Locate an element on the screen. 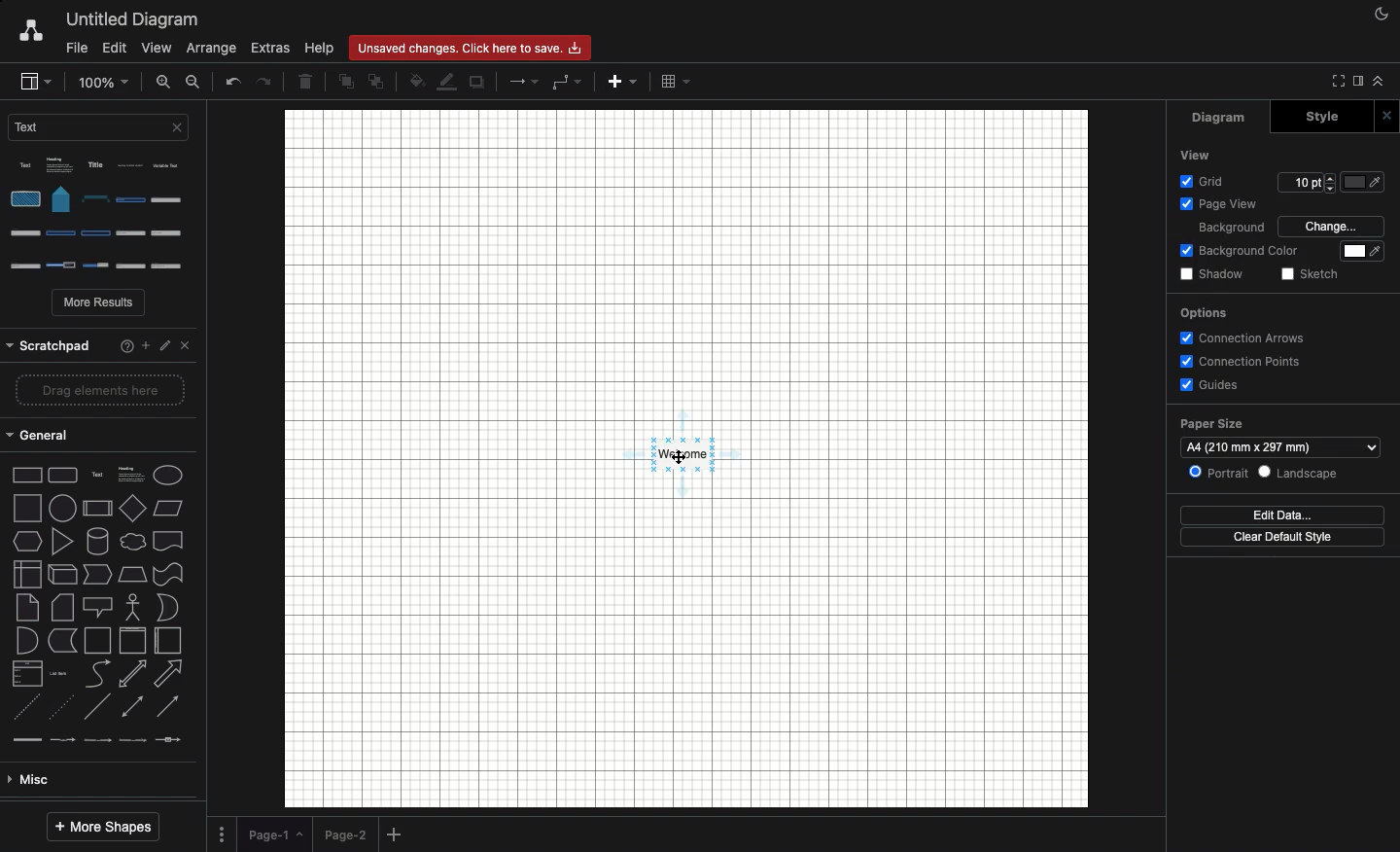  Untitled is located at coordinates (133, 20).